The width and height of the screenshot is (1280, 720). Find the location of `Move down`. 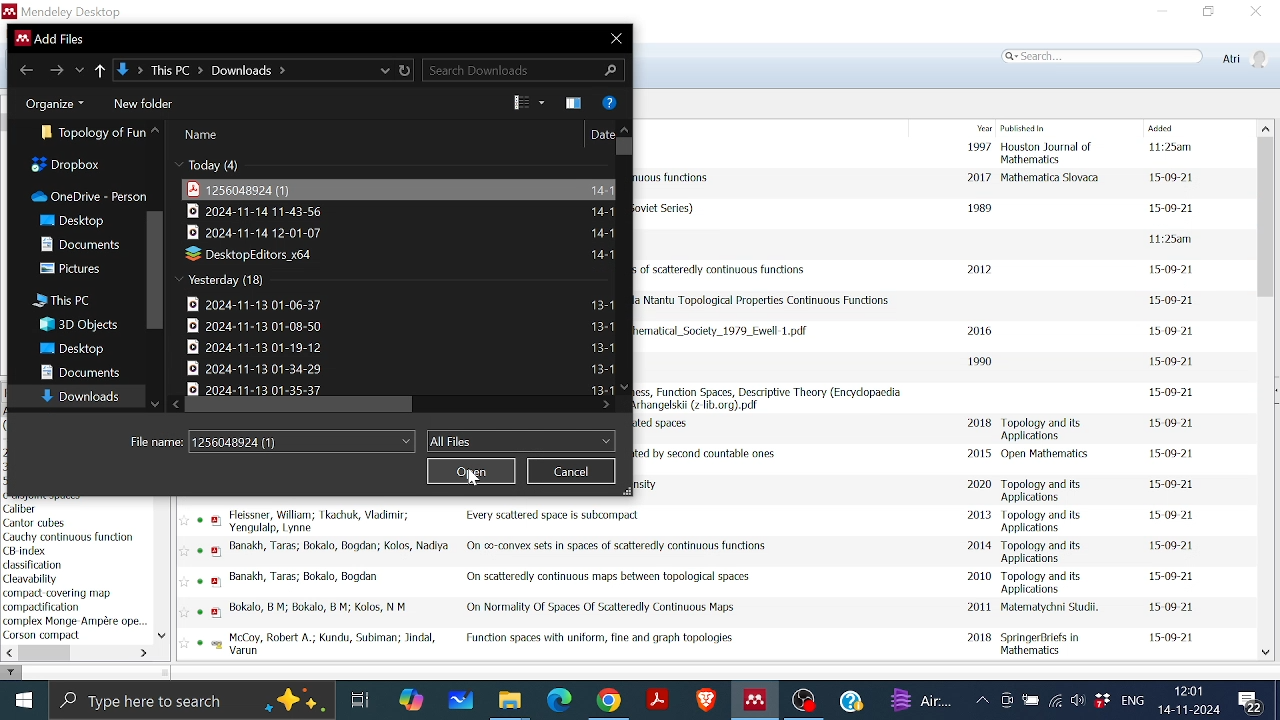

Move down is located at coordinates (1267, 653).